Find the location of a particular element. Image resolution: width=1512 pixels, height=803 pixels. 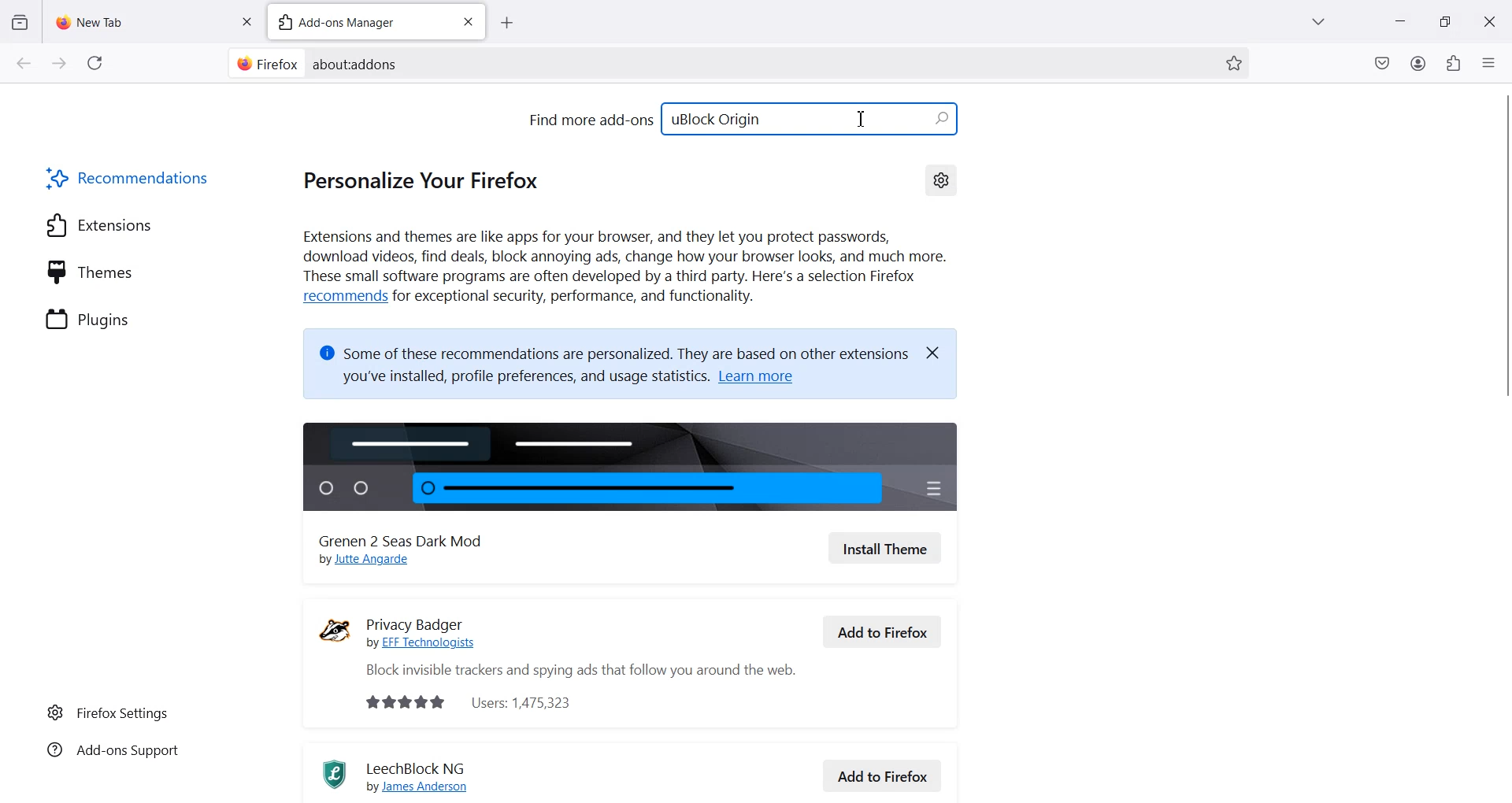

Firefox is located at coordinates (265, 63).